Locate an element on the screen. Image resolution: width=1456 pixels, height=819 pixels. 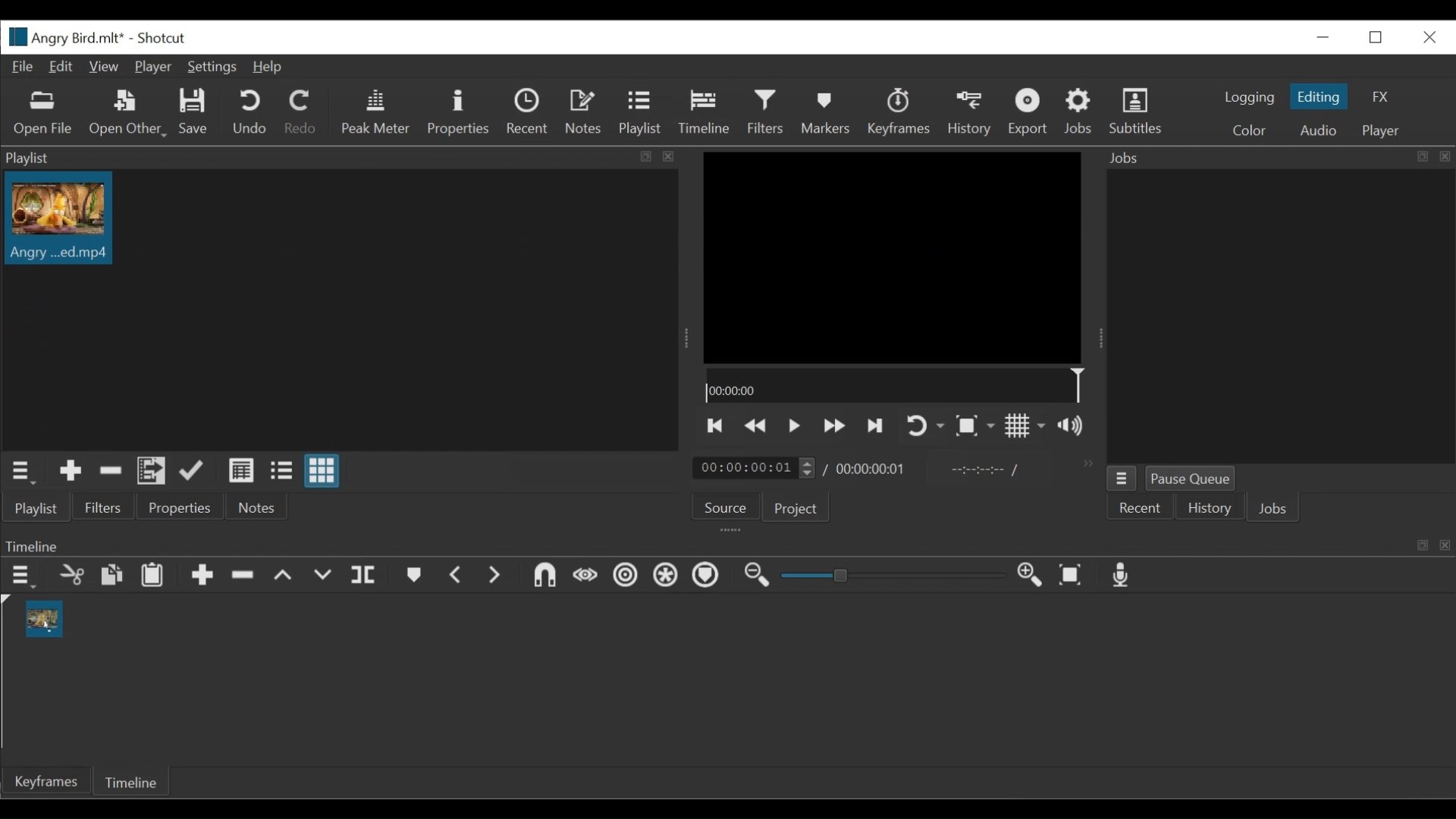
Markers is located at coordinates (827, 114).